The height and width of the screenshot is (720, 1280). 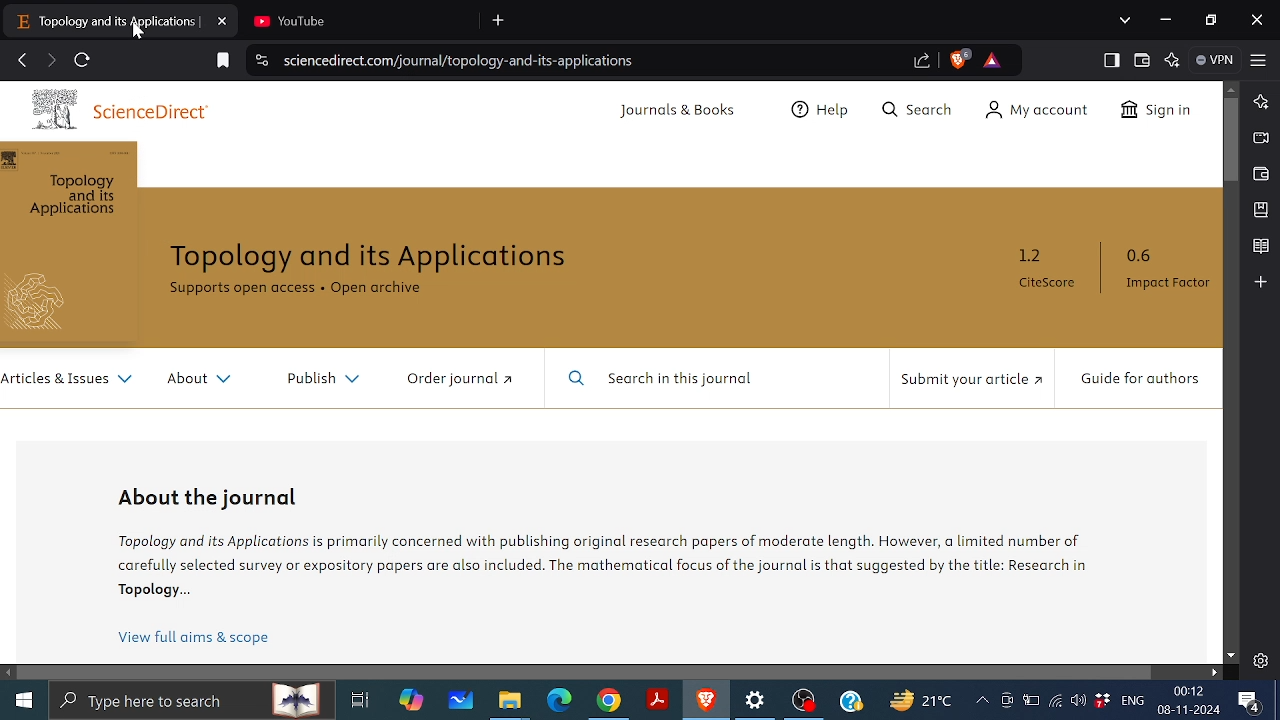 What do you see at coordinates (805, 703) in the screenshot?
I see `OBS recorder` at bounding box center [805, 703].